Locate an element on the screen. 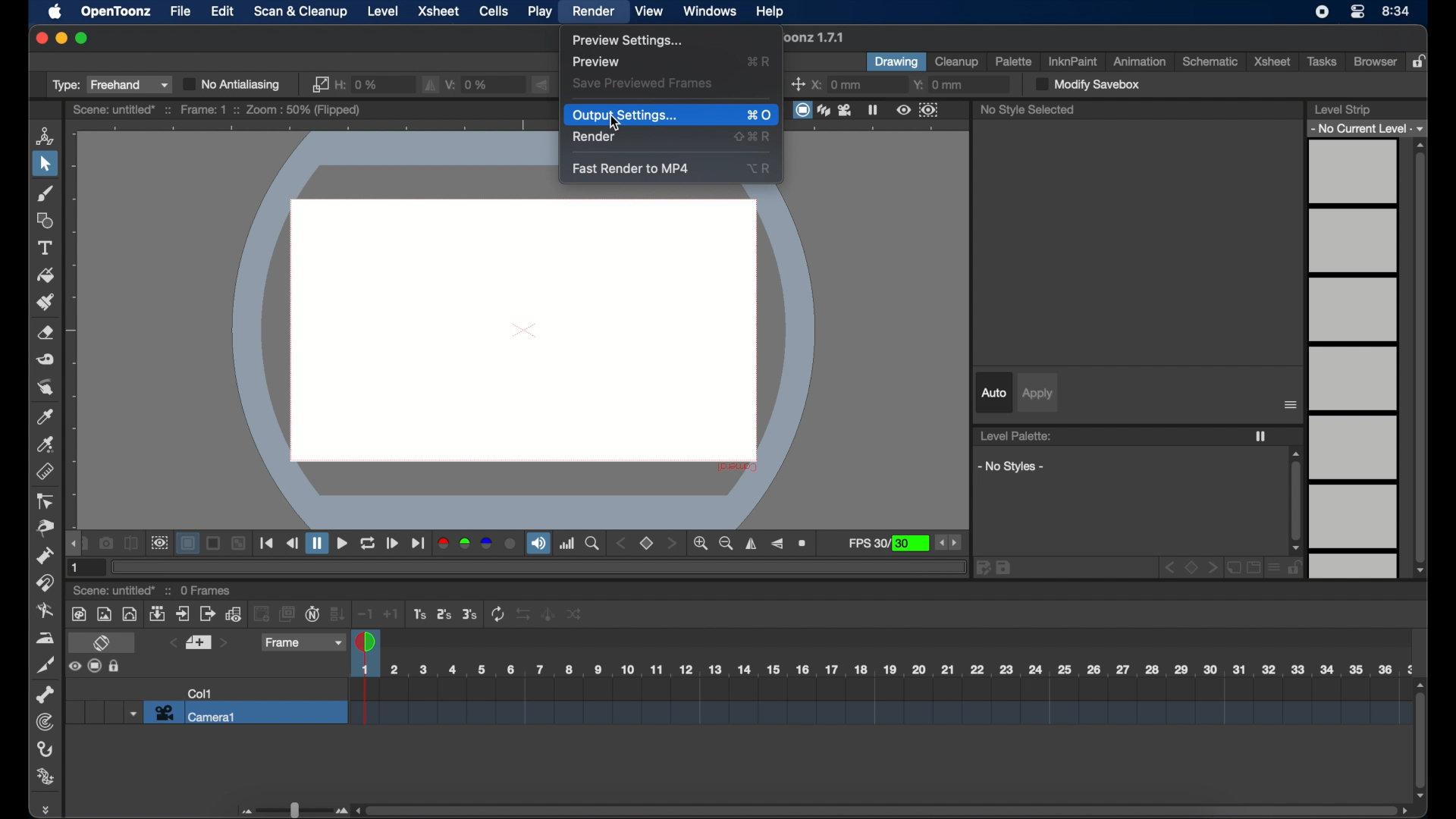  playhead is located at coordinates (367, 641).